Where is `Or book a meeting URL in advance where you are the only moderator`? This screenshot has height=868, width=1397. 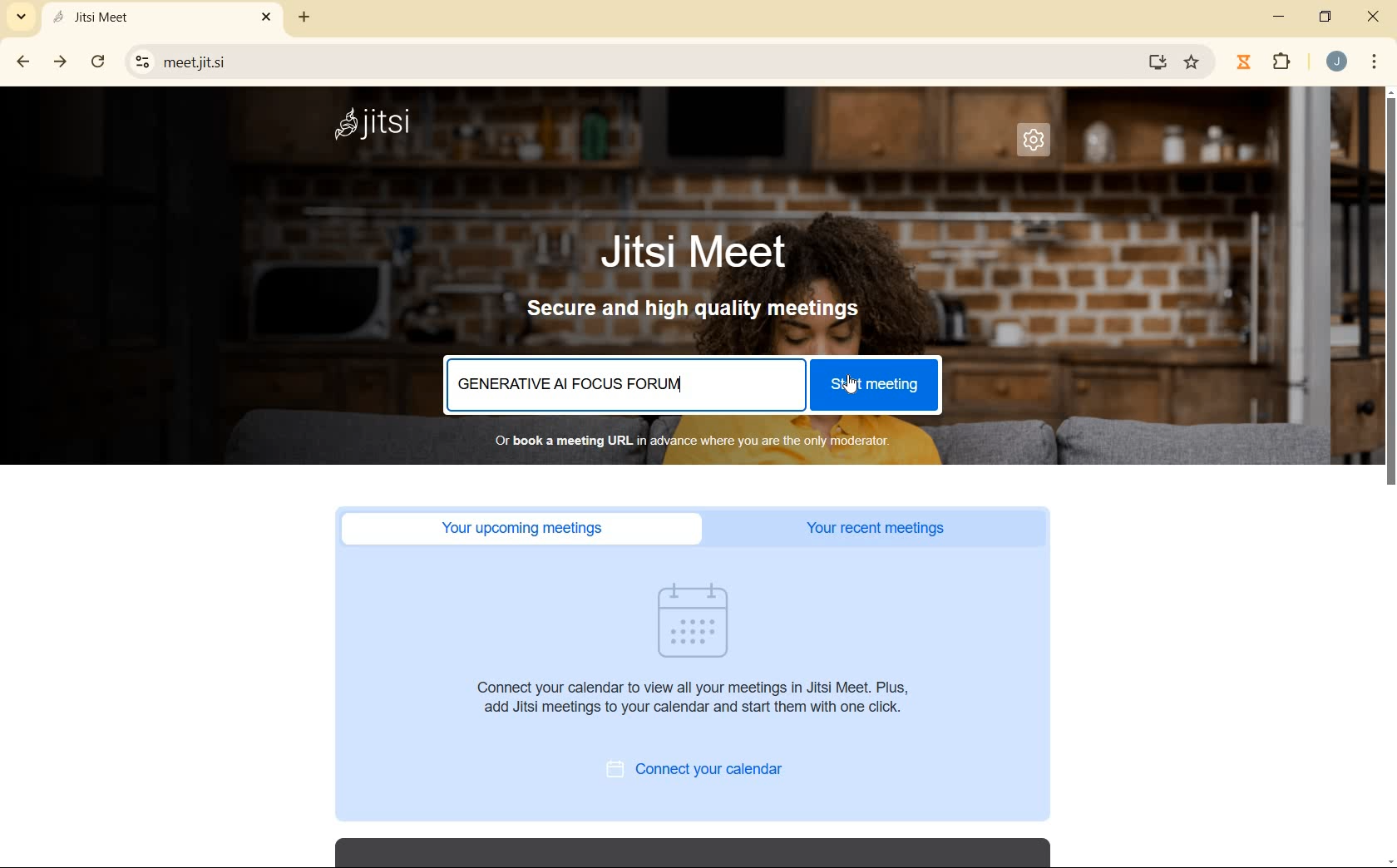
Or book a meeting URL in advance where you are the only moderator is located at coordinates (684, 441).